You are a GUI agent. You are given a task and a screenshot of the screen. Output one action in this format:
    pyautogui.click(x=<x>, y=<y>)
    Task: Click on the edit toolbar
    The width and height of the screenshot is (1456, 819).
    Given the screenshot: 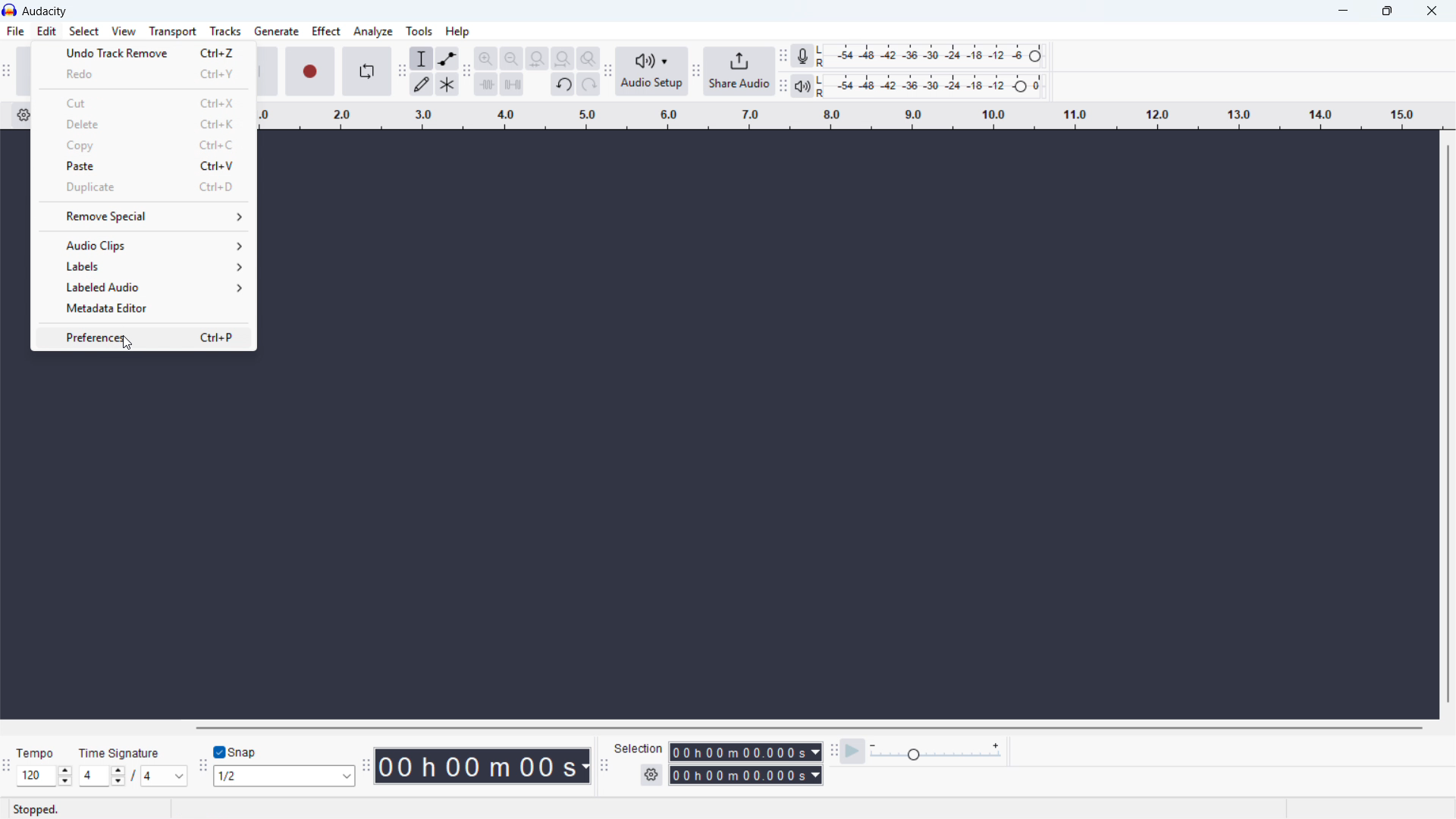 What is the action you would take?
    pyautogui.click(x=467, y=71)
    